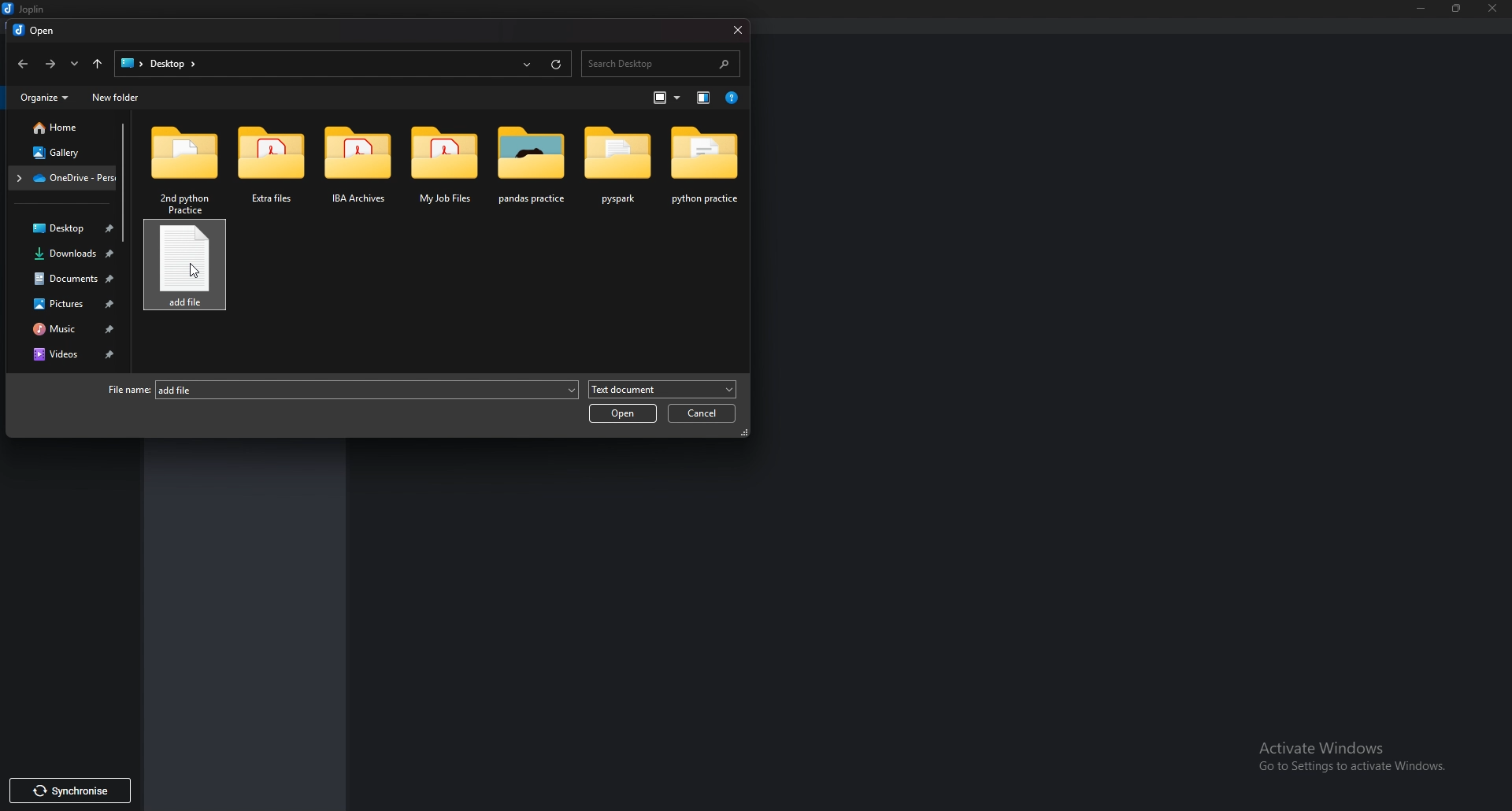  What do you see at coordinates (117, 98) in the screenshot?
I see `New folder` at bounding box center [117, 98].